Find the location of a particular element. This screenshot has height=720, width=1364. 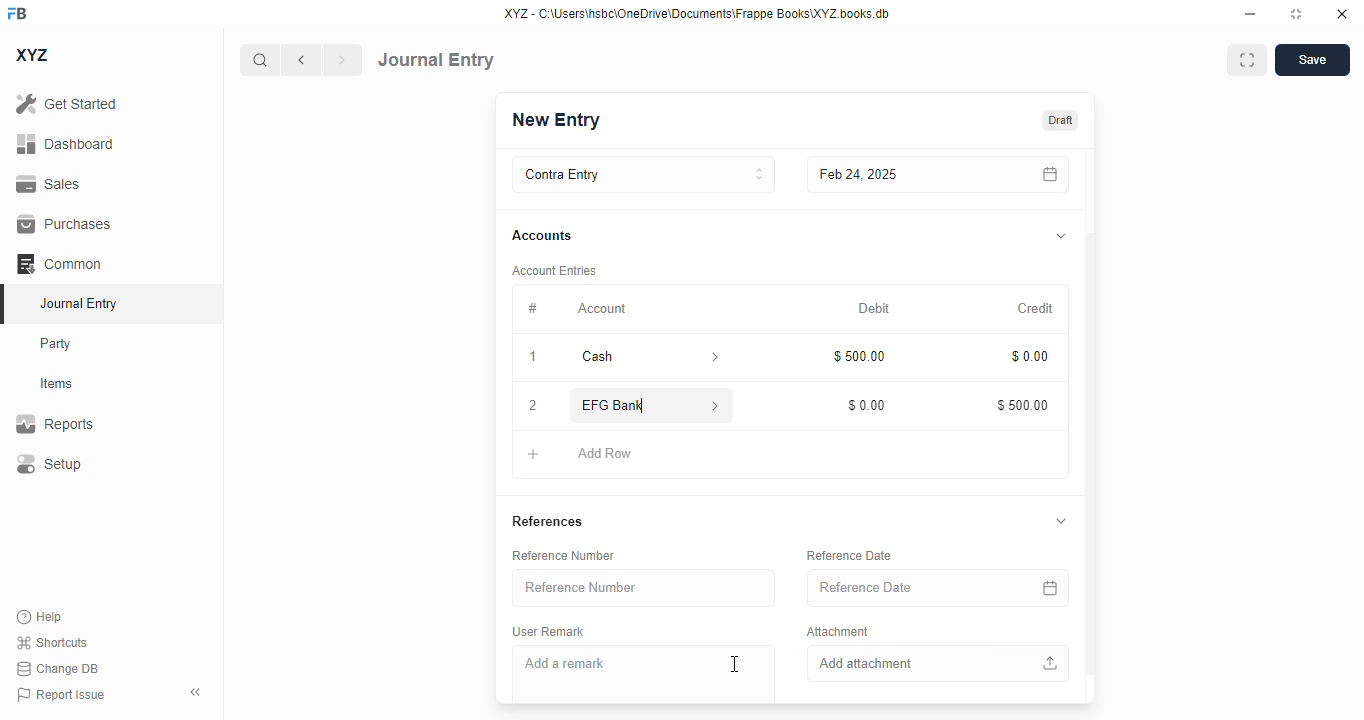

change DB is located at coordinates (57, 668).